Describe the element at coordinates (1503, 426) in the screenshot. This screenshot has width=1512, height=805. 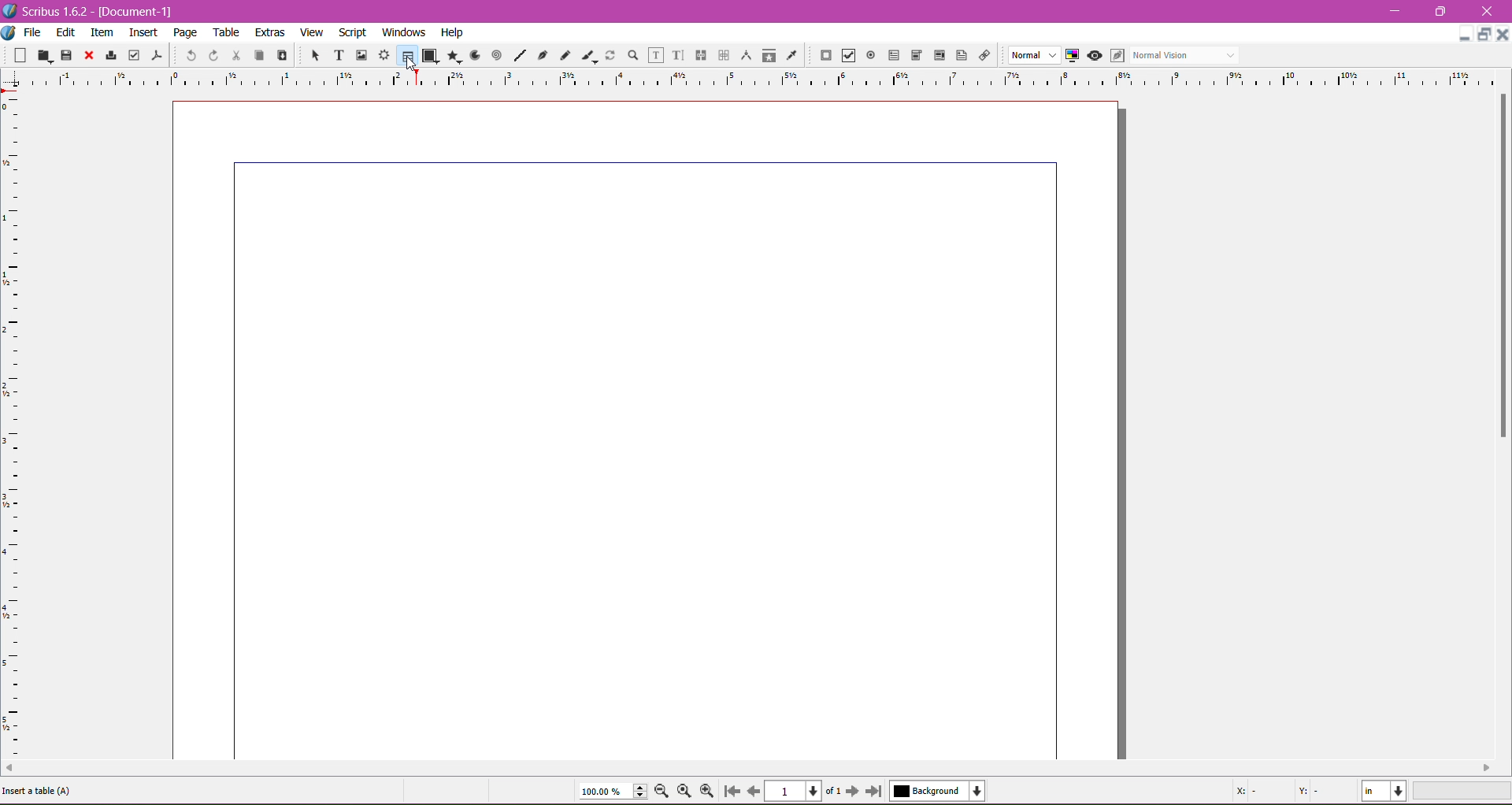
I see `scroll bar` at that location.